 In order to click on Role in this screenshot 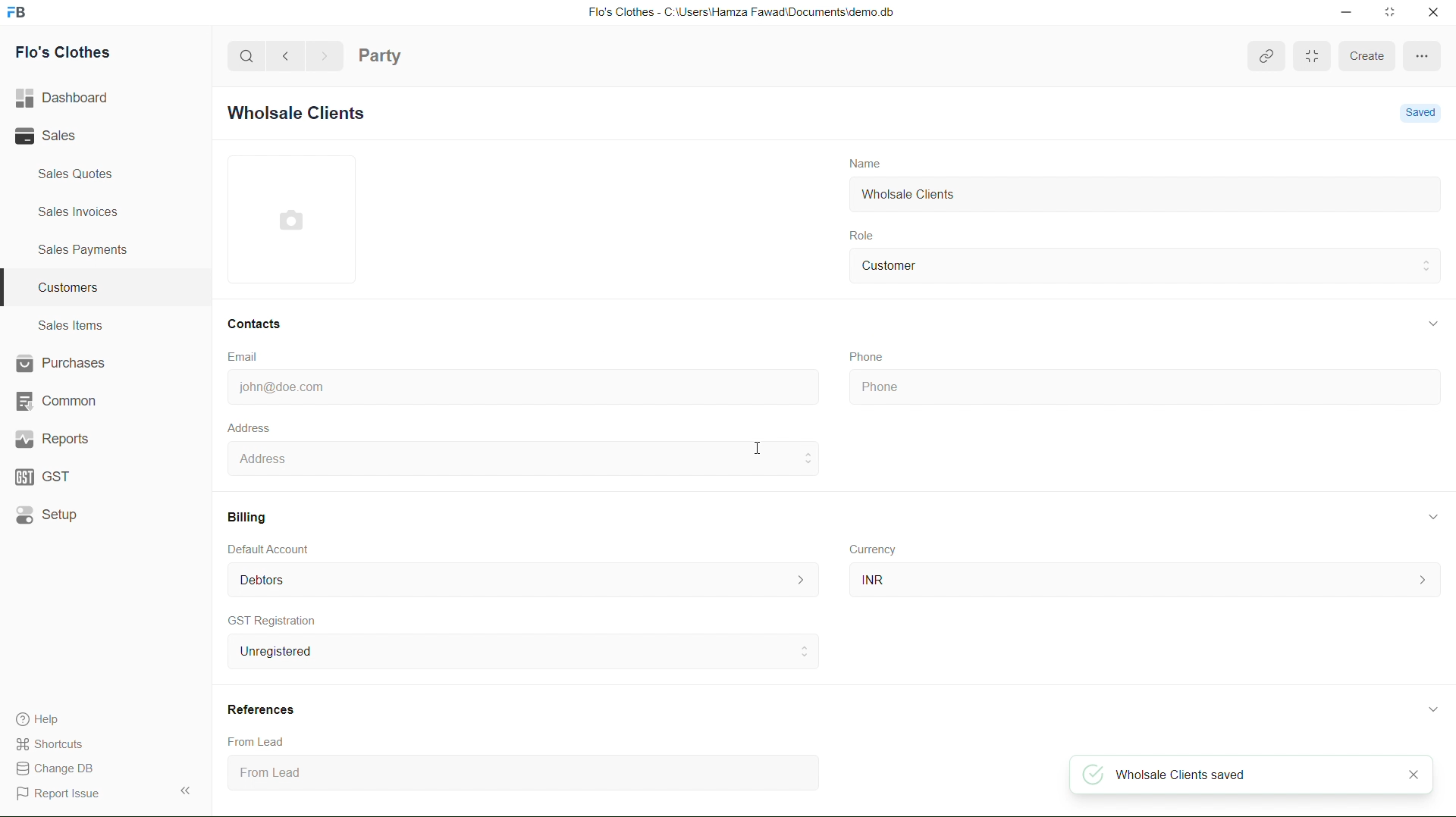, I will do `click(869, 232)`.